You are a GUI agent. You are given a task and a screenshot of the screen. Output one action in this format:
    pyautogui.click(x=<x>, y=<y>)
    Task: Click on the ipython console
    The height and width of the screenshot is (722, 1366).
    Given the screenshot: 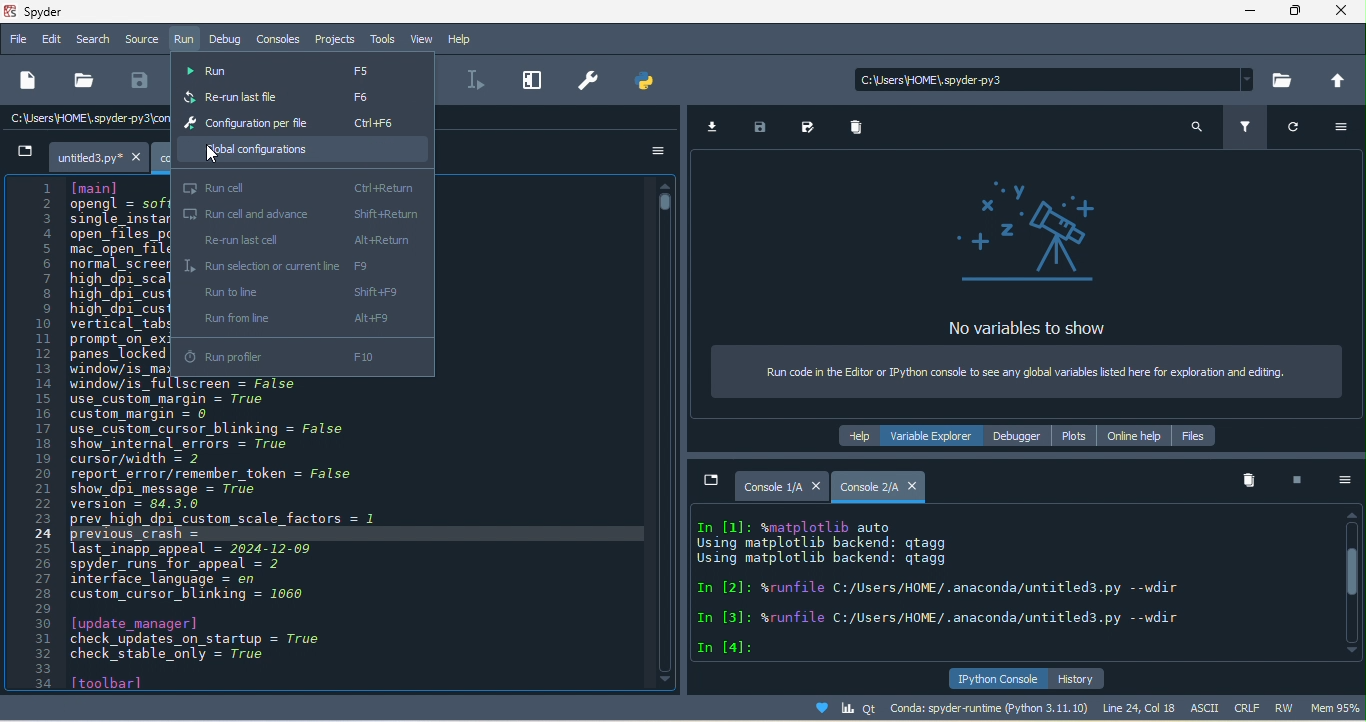 What is the action you would take?
    pyautogui.click(x=999, y=680)
    